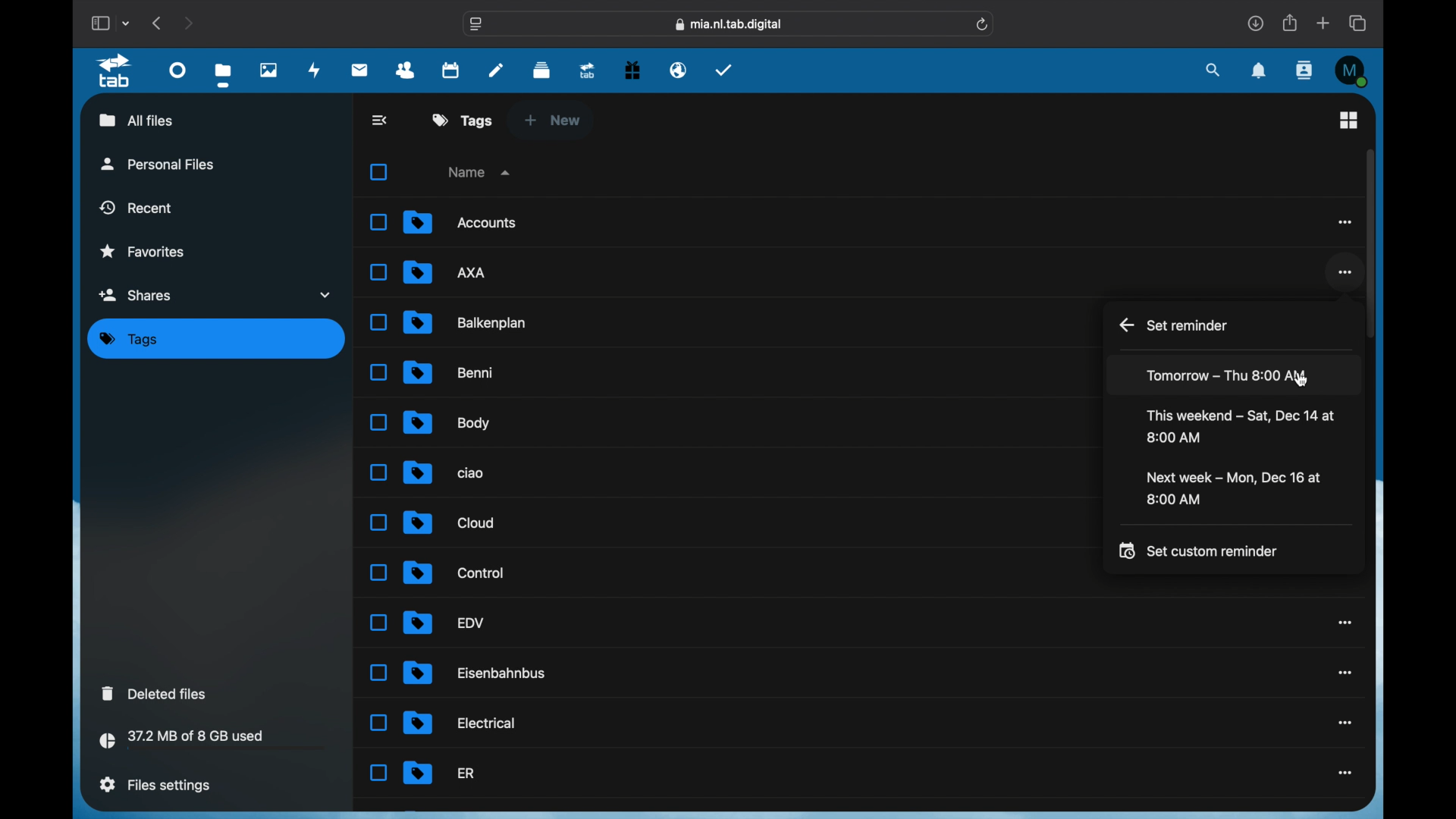  What do you see at coordinates (177, 69) in the screenshot?
I see `dashboard` at bounding box center [177, 69].